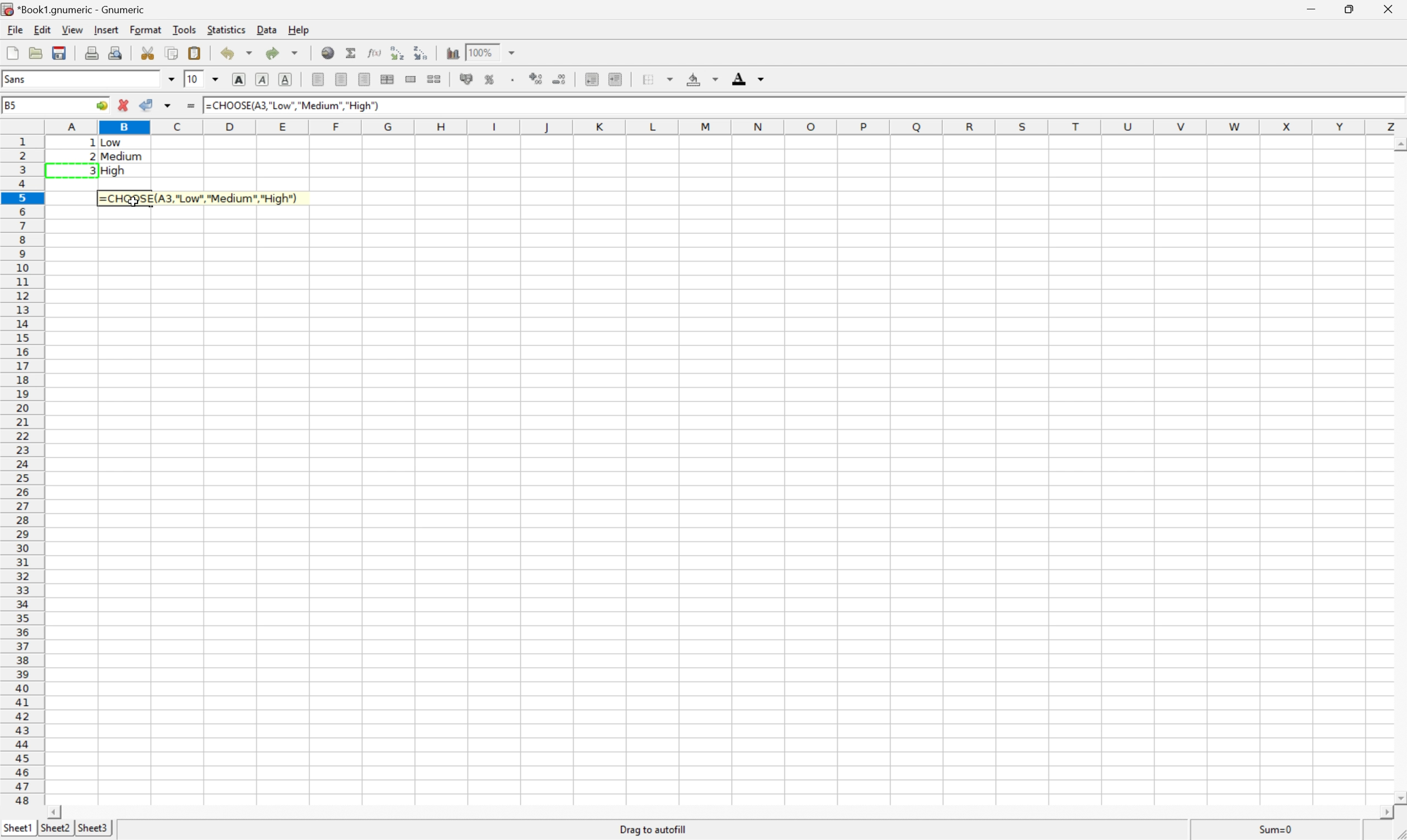 The width and height of the screenshot is (1407, 840). Describe the element at coordinates (148, 53) in the screenshot. I see `Cut selection` at that location.